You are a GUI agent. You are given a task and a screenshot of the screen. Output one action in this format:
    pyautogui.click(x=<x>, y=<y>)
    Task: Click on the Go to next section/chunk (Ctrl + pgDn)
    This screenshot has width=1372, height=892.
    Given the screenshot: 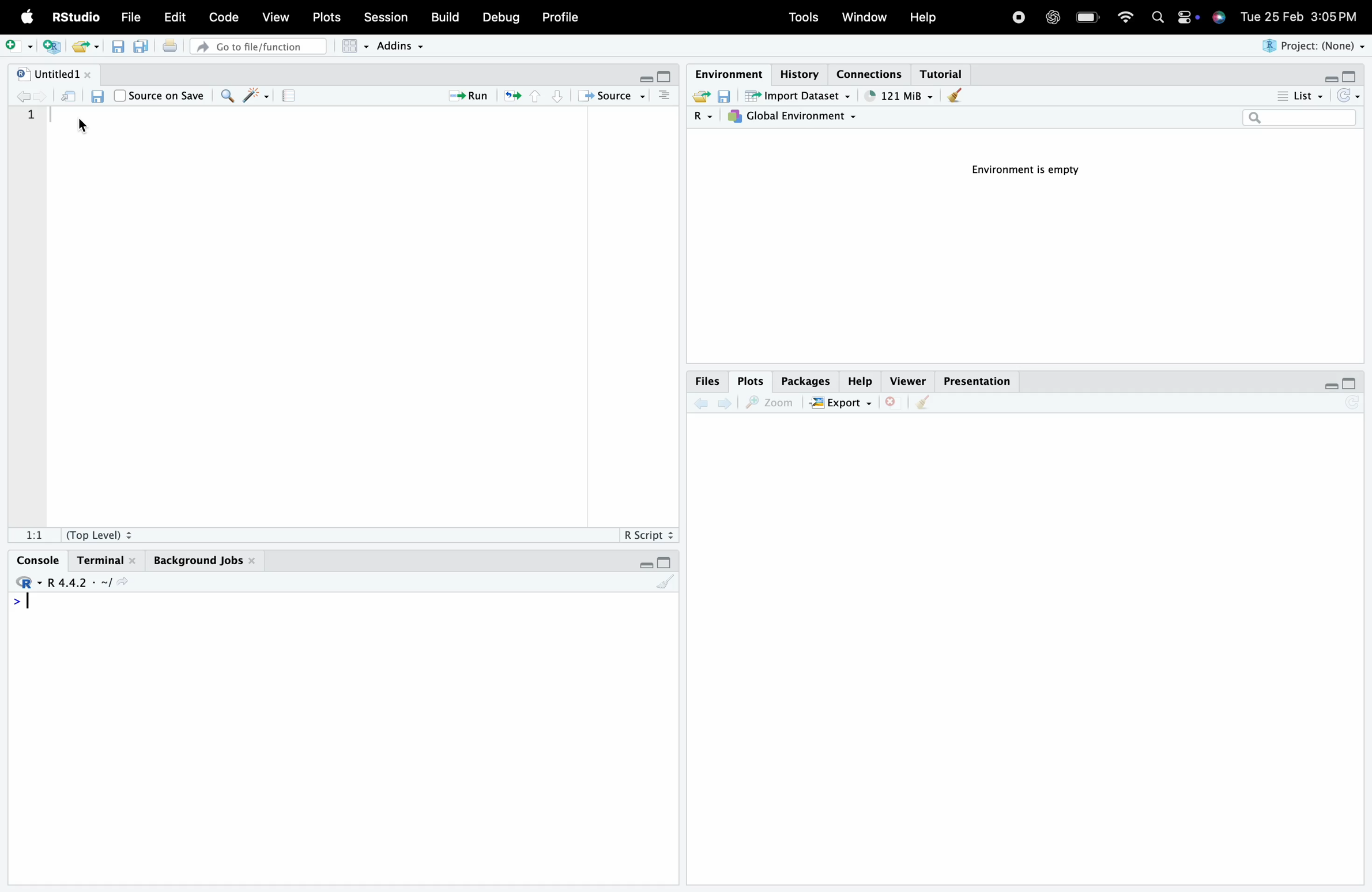 What is the action you would take?
    pyautogui.click(x=557, y=97)
    